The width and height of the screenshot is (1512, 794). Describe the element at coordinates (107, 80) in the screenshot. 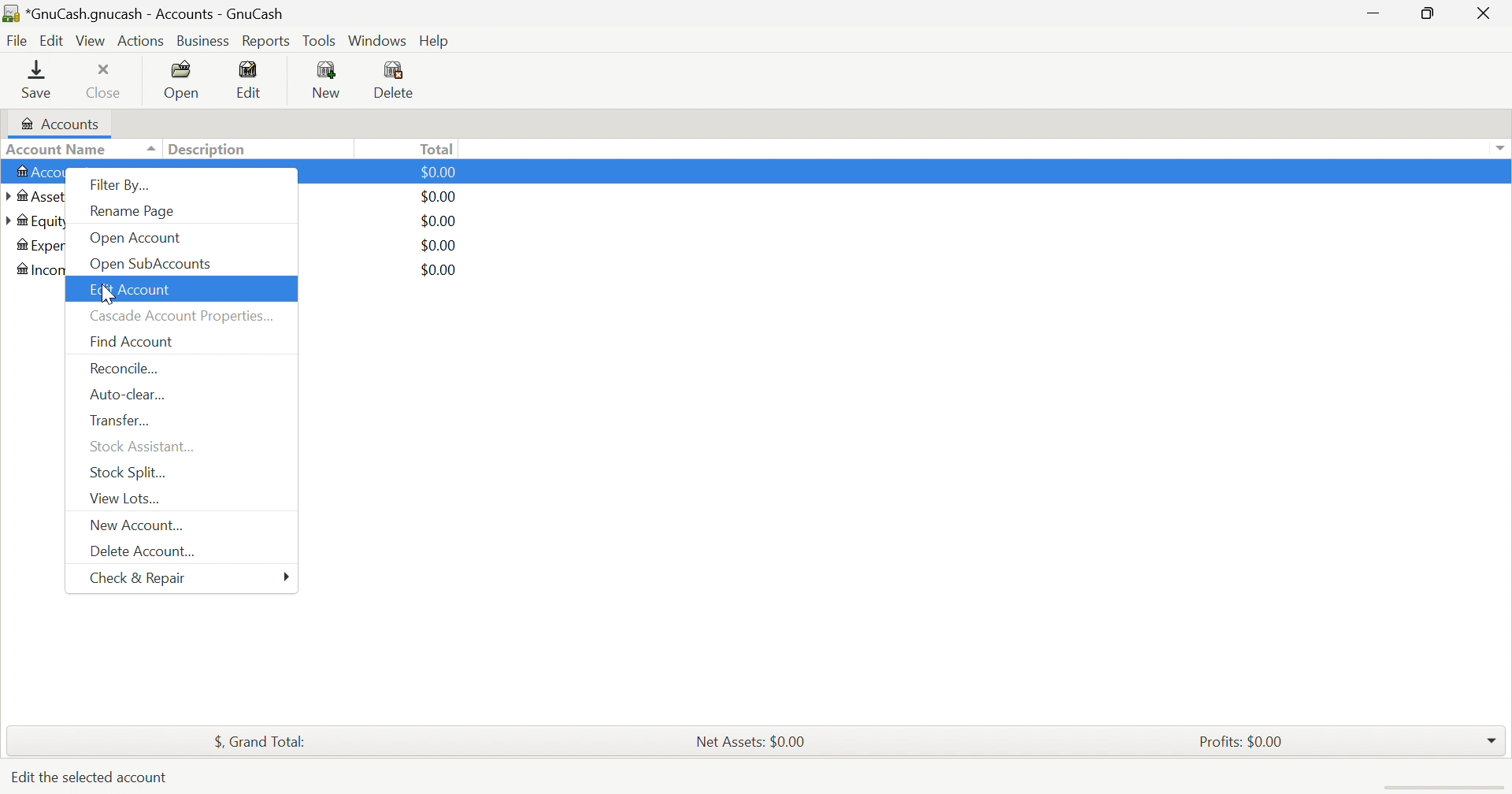

I see `Close` at that location.